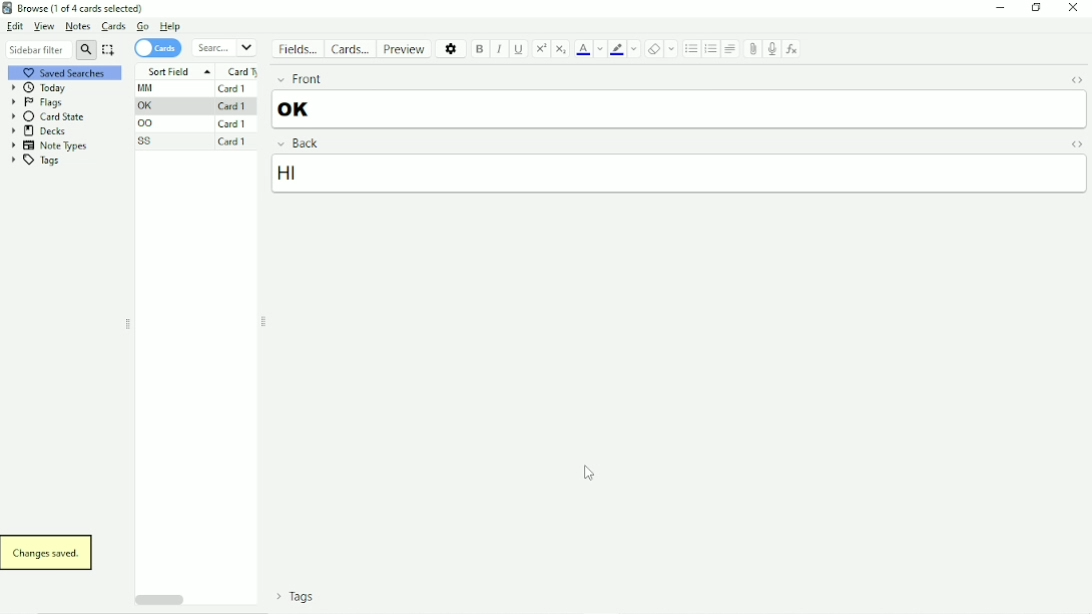 The height and width of the screenshot is (614, 1092). What do you see at coordinates (16, 27) in the screenshot?
I see `Edit` at bounding box center [16, 27].